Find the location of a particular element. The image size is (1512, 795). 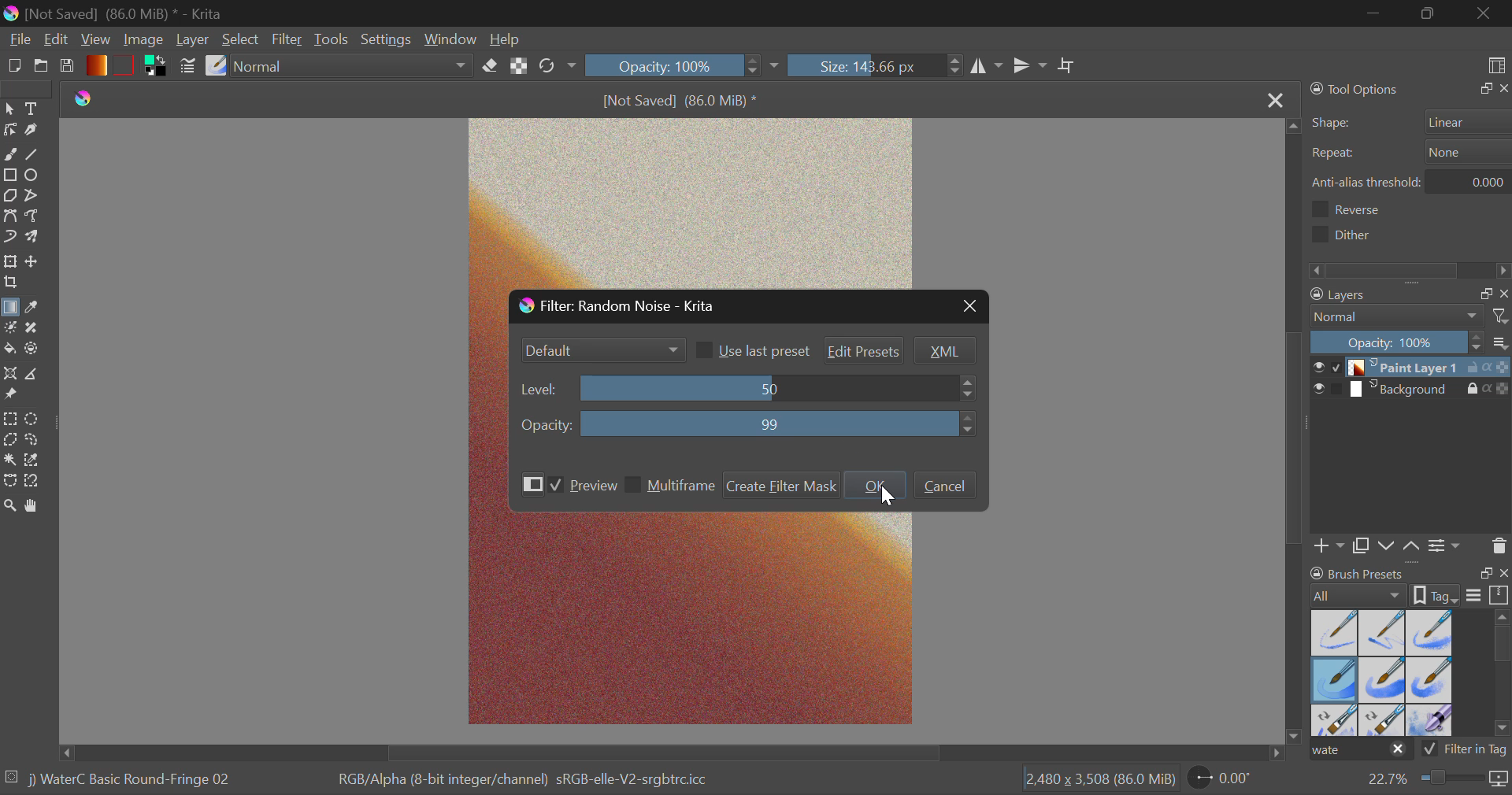

dither is located at coordinates (1347, 234).